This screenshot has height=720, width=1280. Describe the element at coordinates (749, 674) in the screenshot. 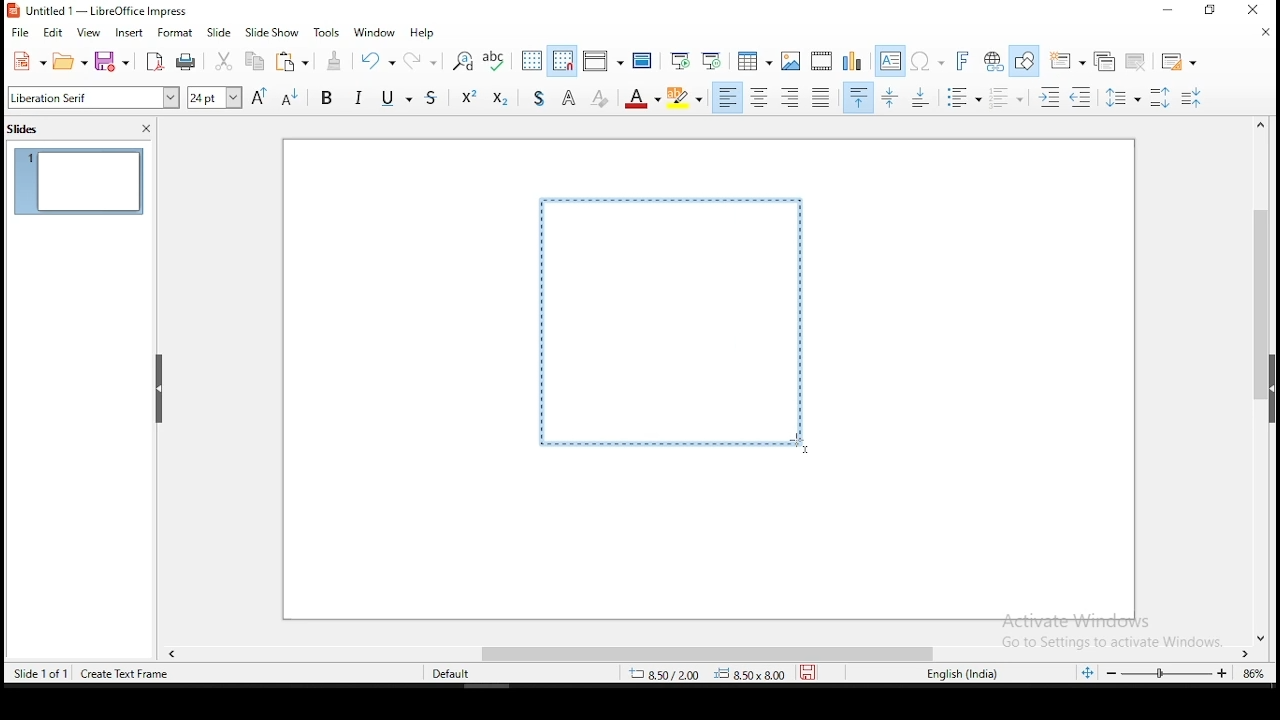

I see `0.00x0.00` at that location.